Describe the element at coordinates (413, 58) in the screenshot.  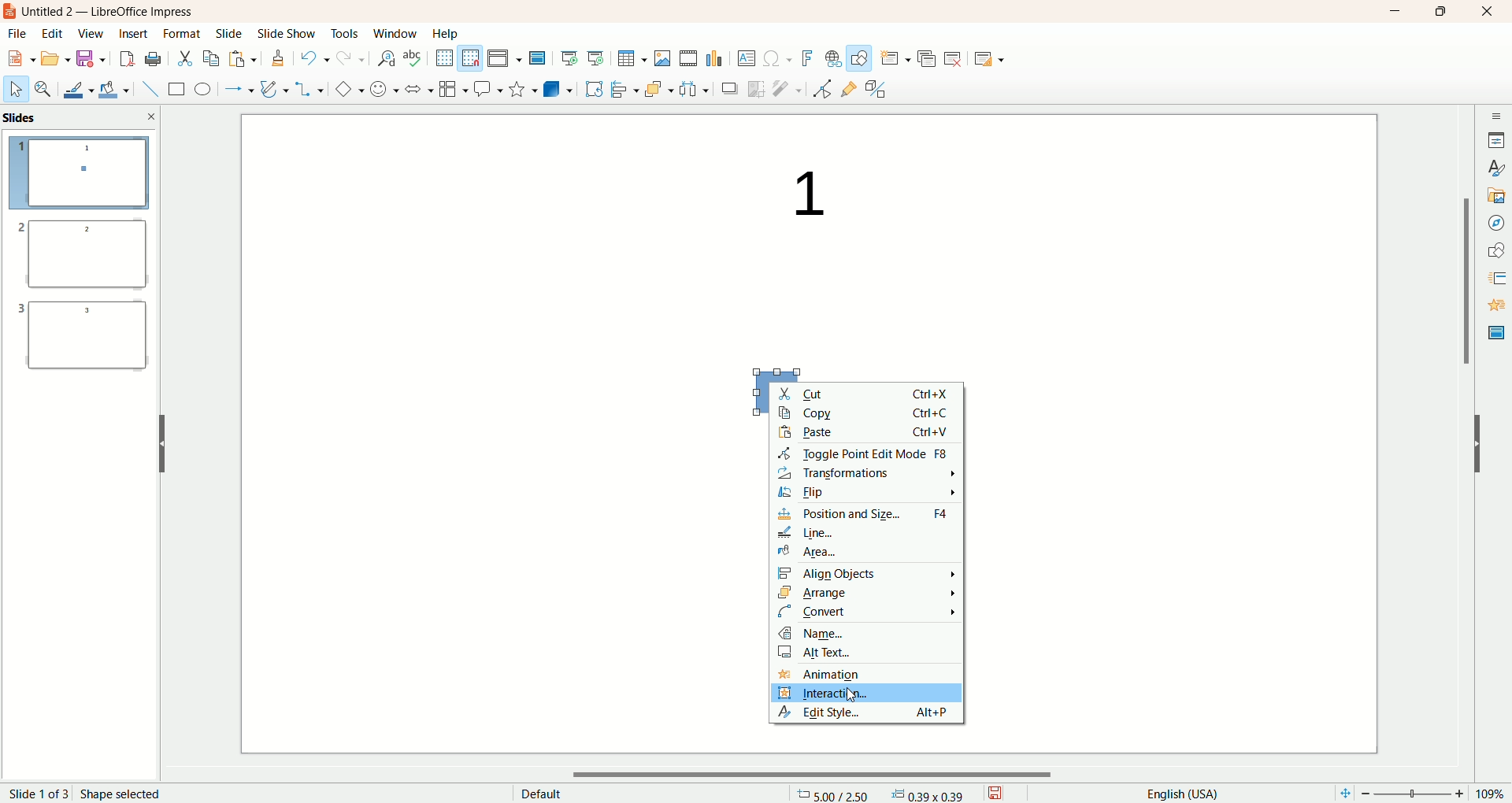
I see `spelling` at that location.